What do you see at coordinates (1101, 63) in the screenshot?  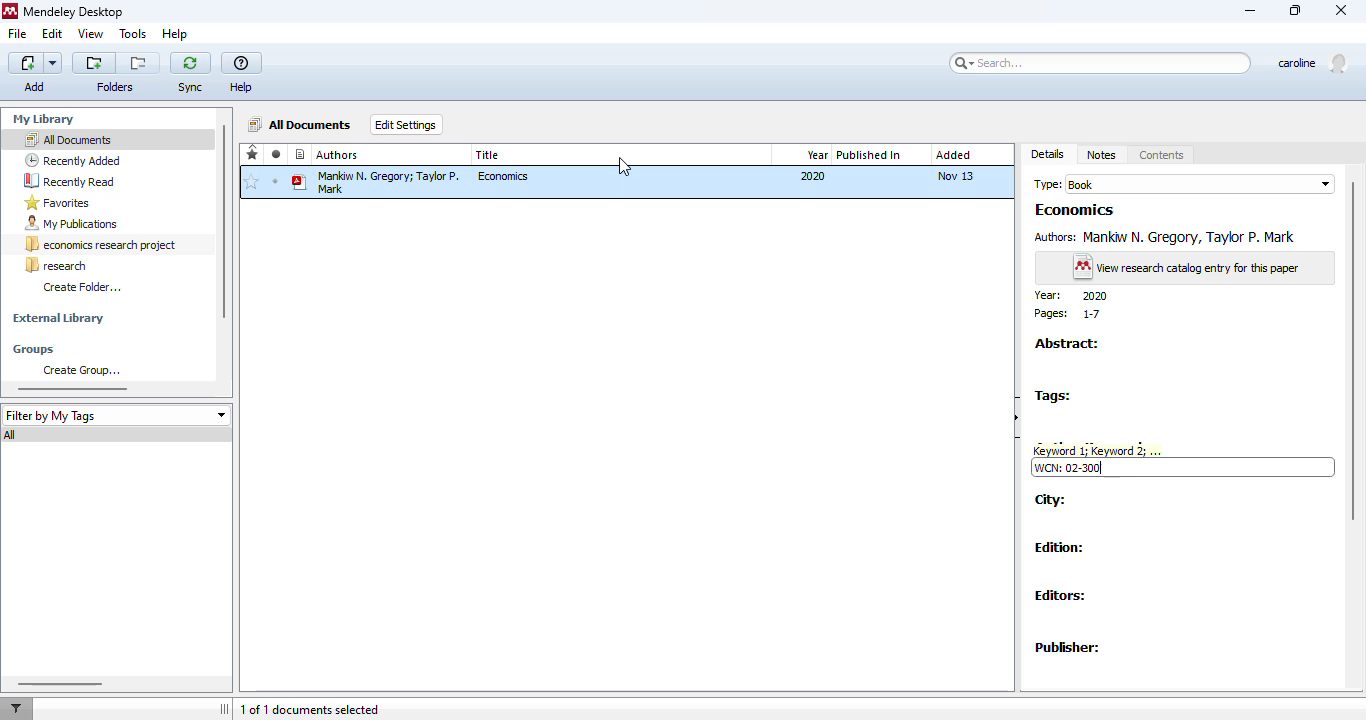 I see `search` at bounding box center [1101, 63].